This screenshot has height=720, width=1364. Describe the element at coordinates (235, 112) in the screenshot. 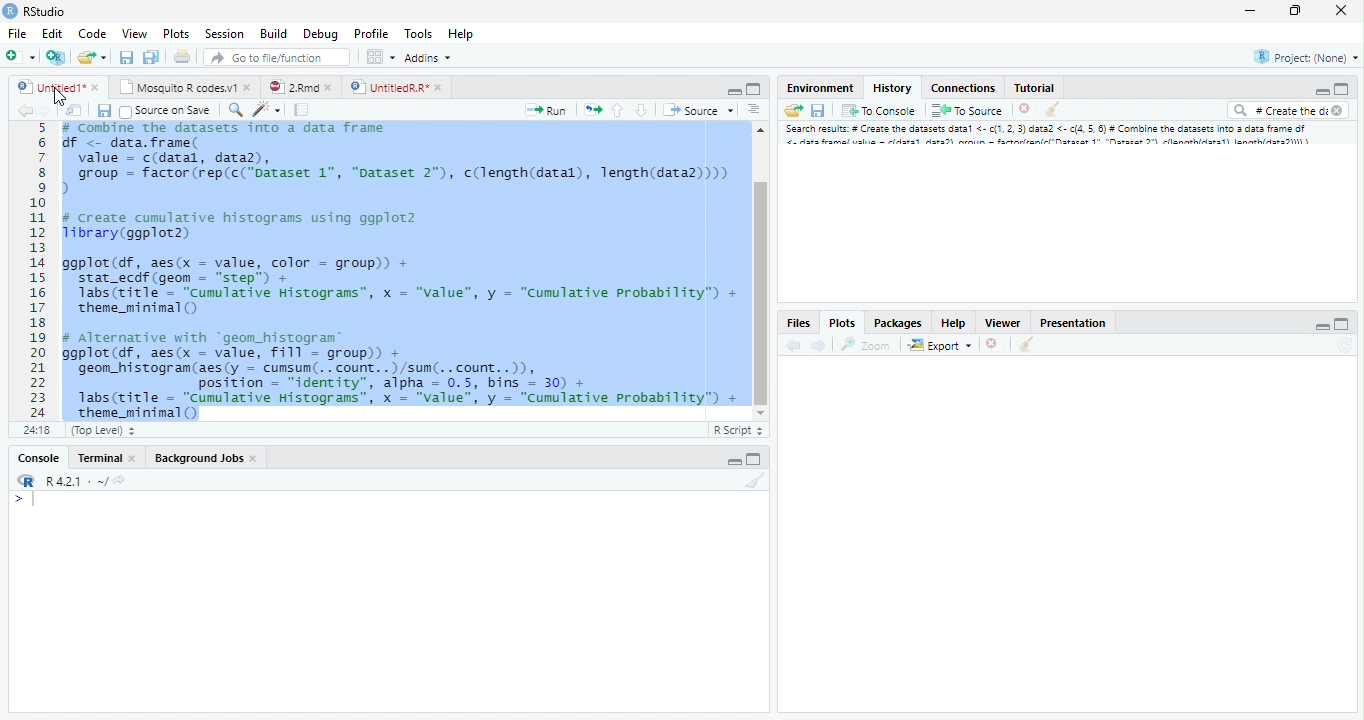

I see `Zoom` at that location.